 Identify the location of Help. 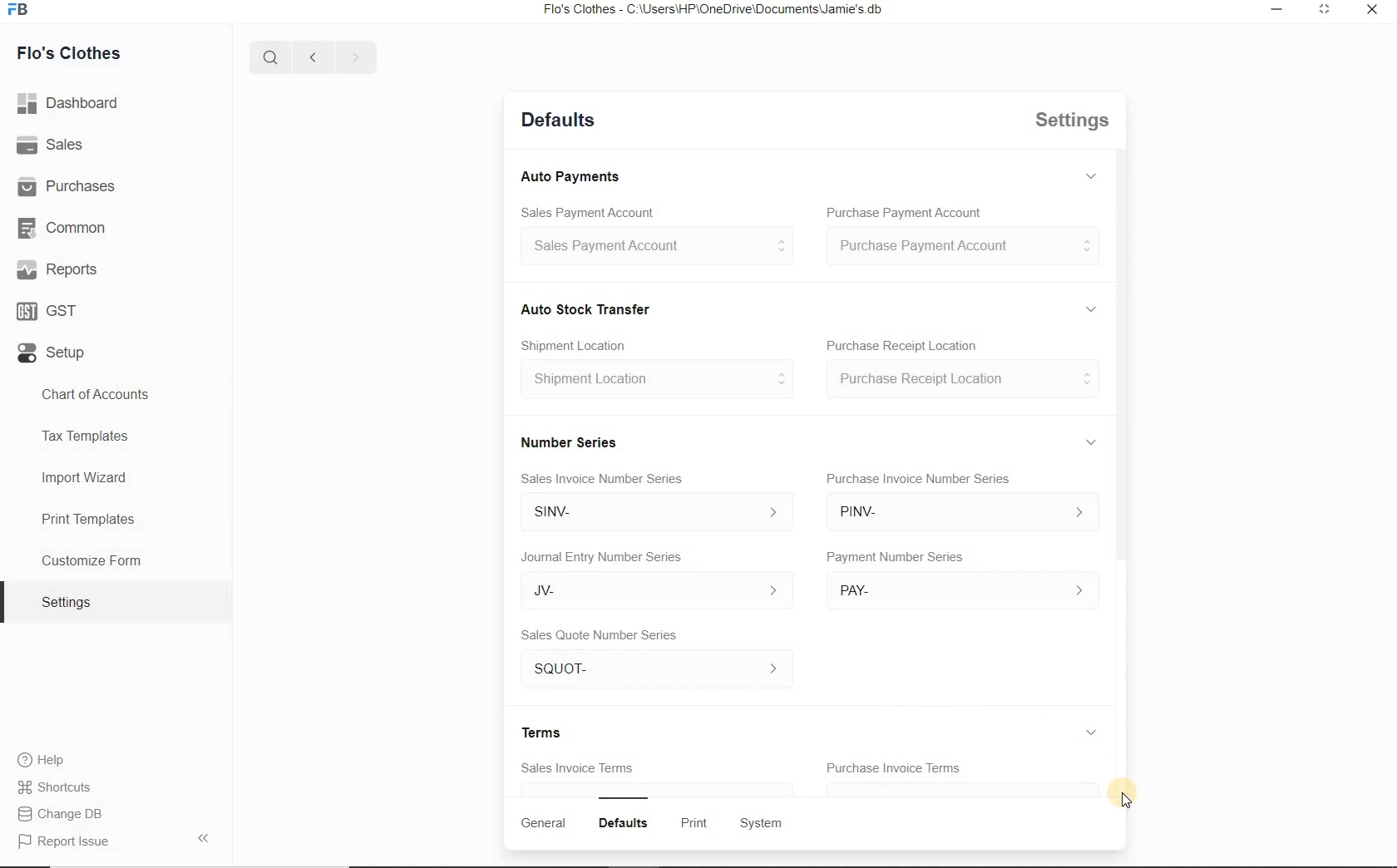
(41, 759).